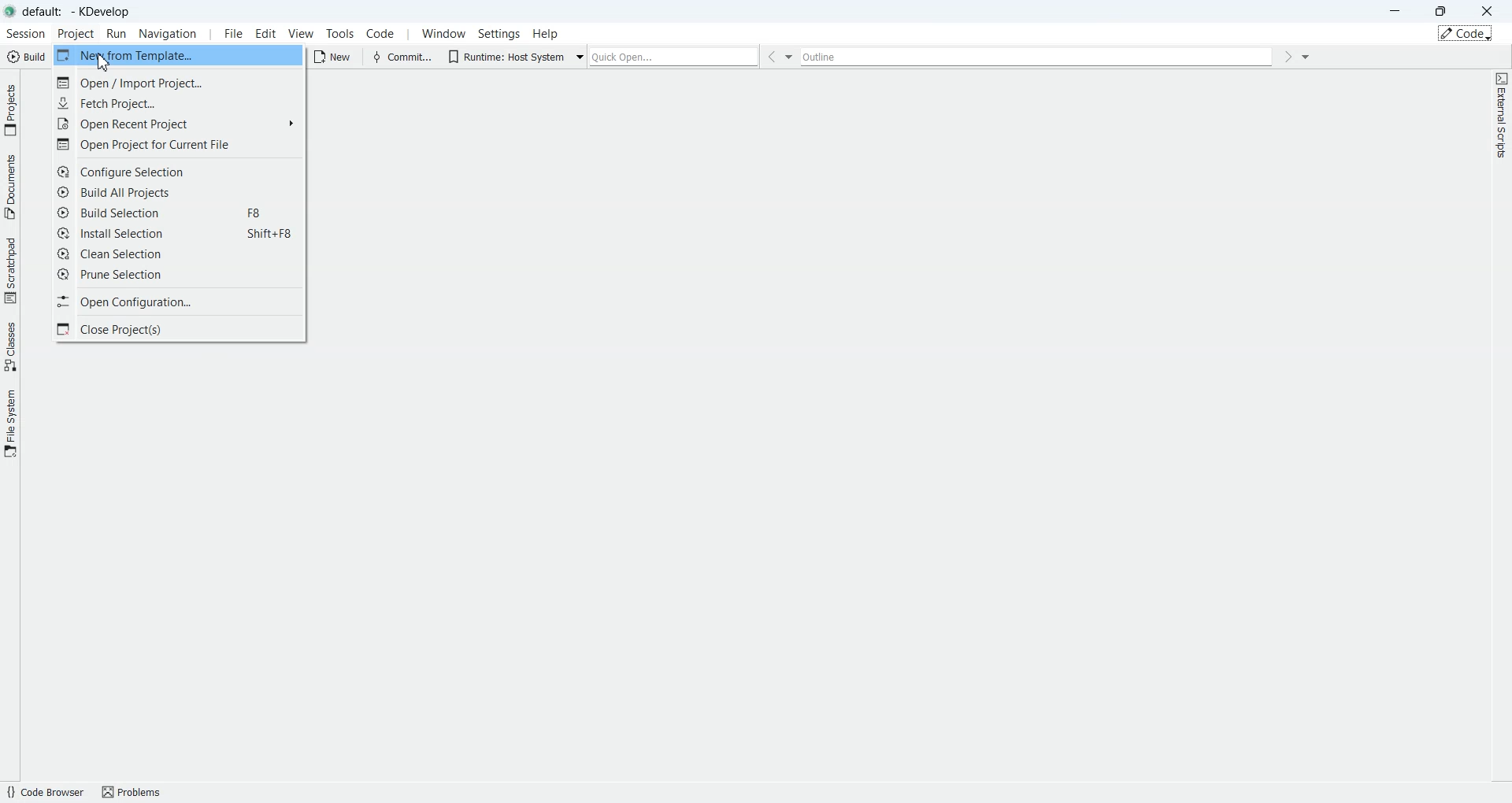 This screenshot has height=803, width=1512. I want to click on Code, so click(1466, 33).